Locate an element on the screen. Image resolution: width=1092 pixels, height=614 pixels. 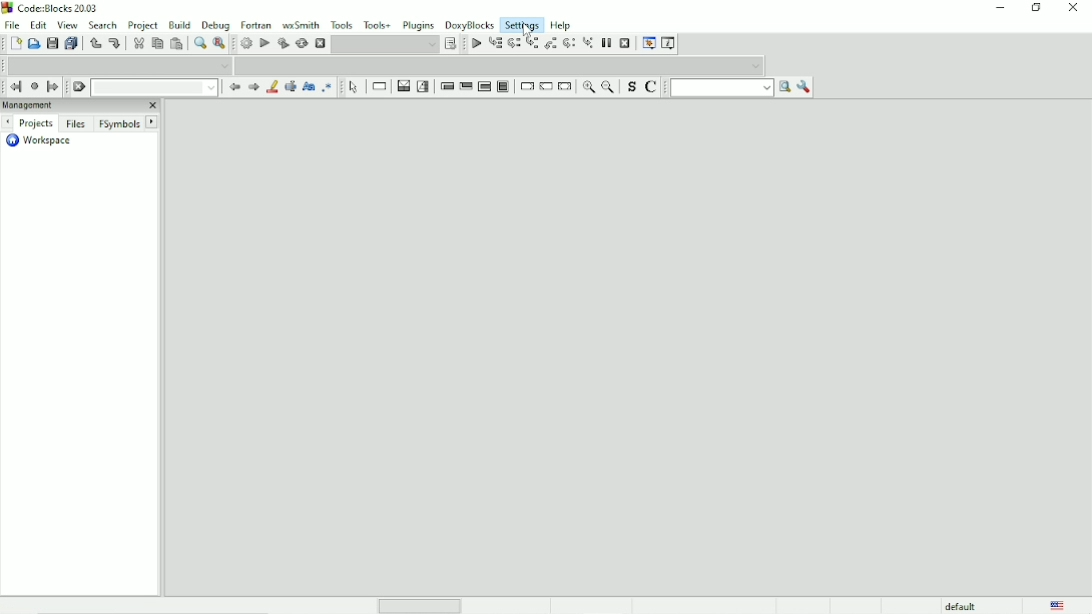
Prev is located at coordinates (234, 87).